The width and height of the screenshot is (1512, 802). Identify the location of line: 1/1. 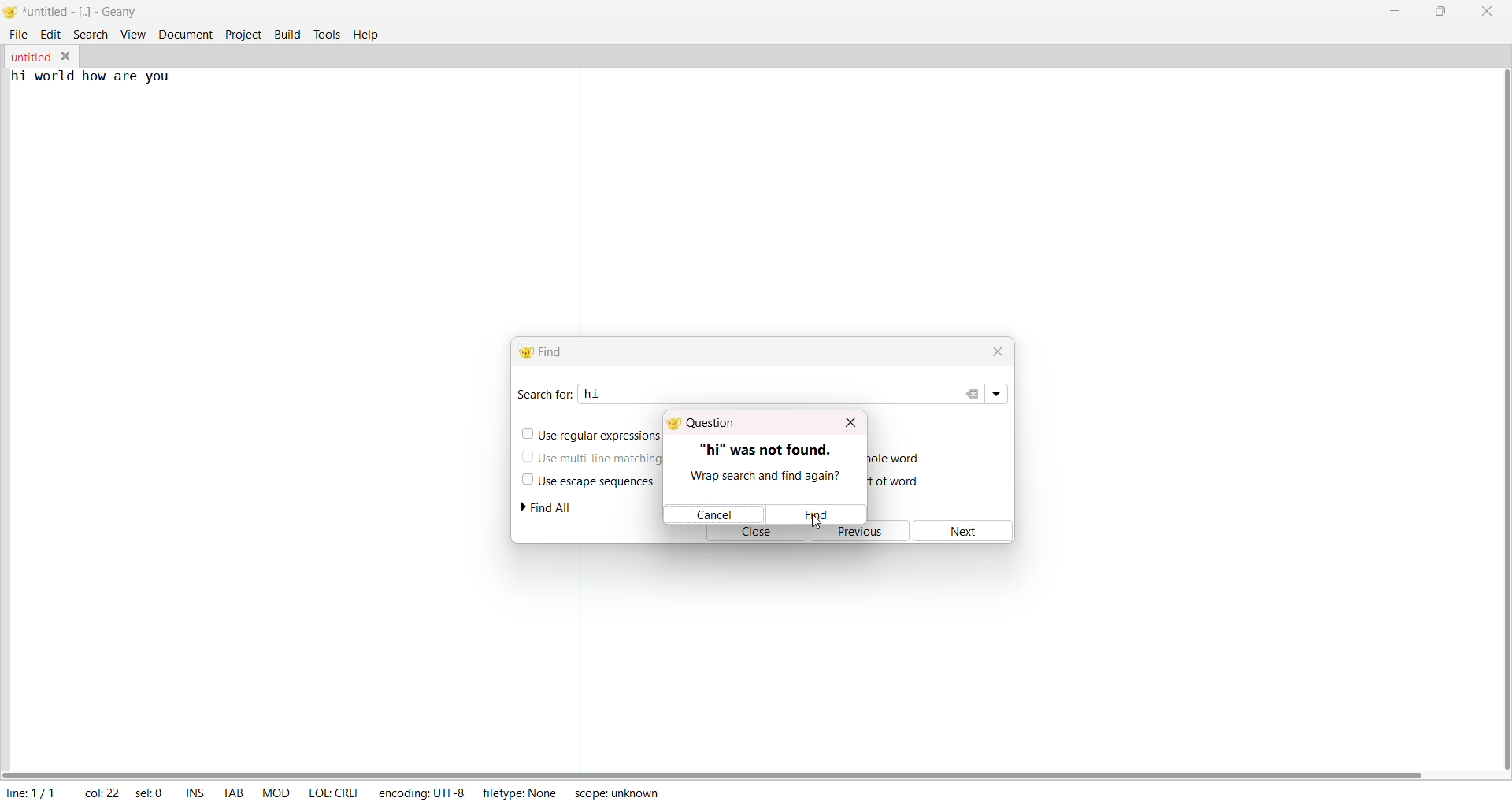
(31, 793).